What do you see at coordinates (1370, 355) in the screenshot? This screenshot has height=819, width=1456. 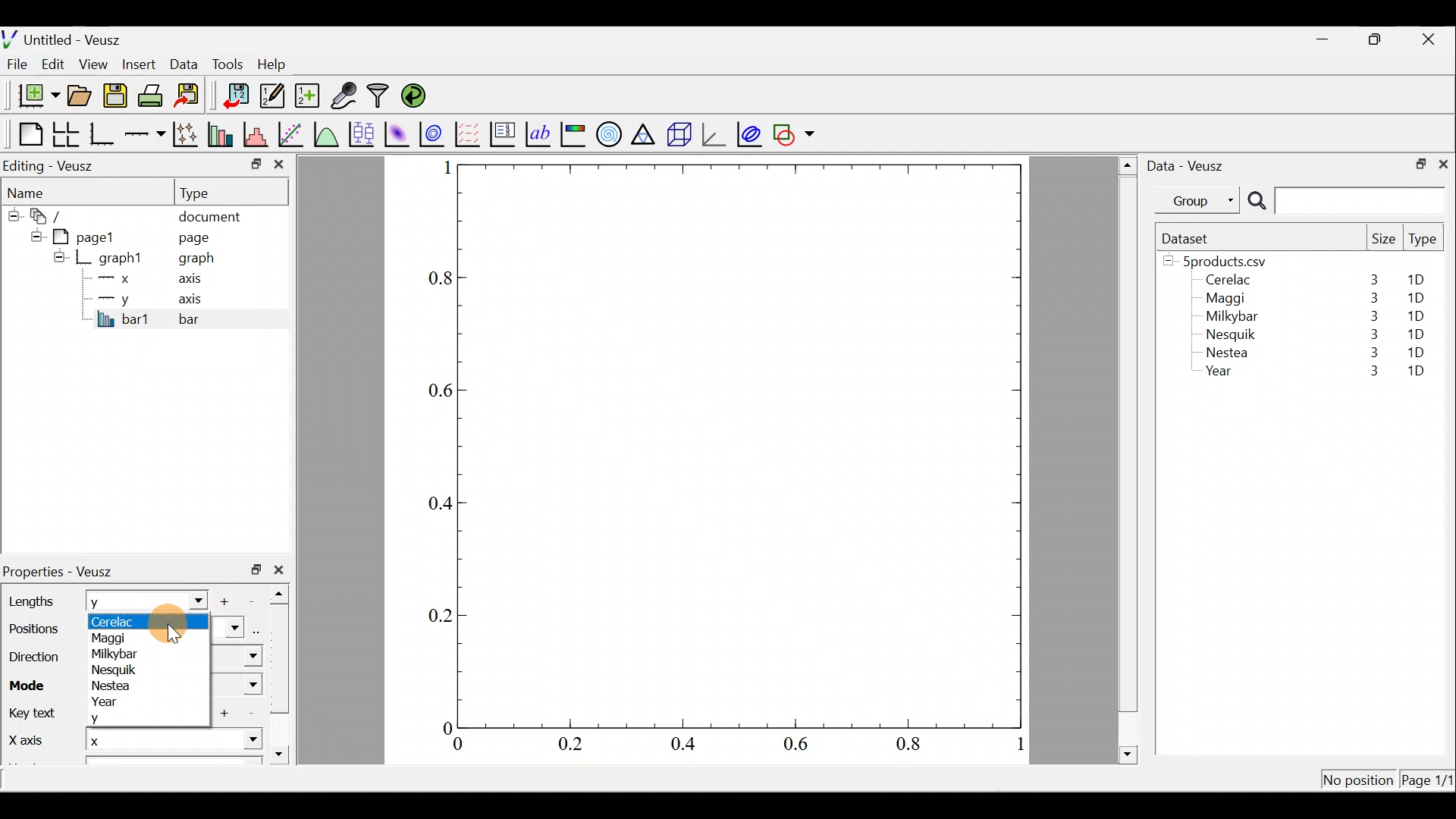 I see `3` at bounding box center [1370, 355].